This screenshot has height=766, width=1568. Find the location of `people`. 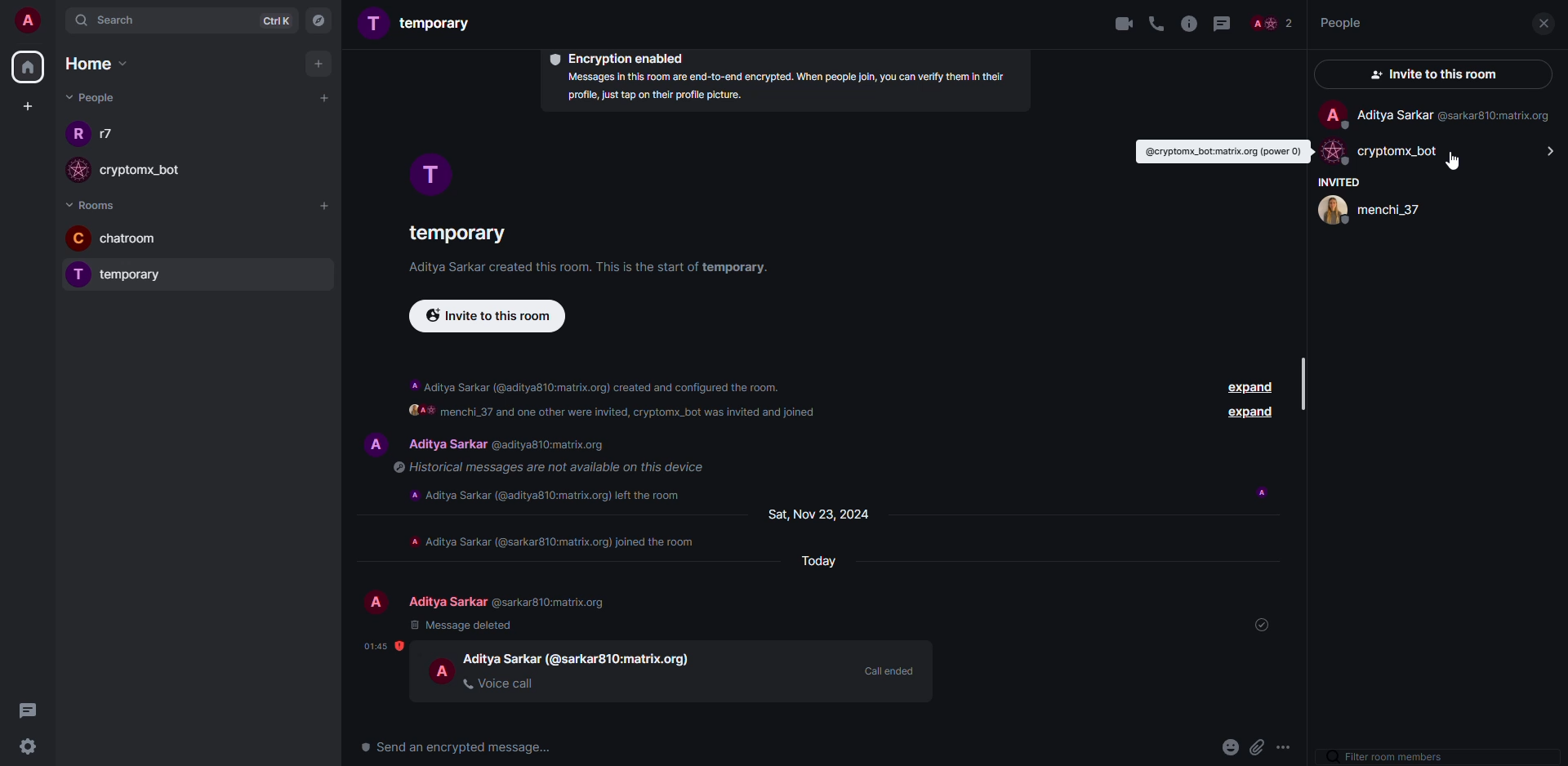

people is located at coordinates (90, 97).